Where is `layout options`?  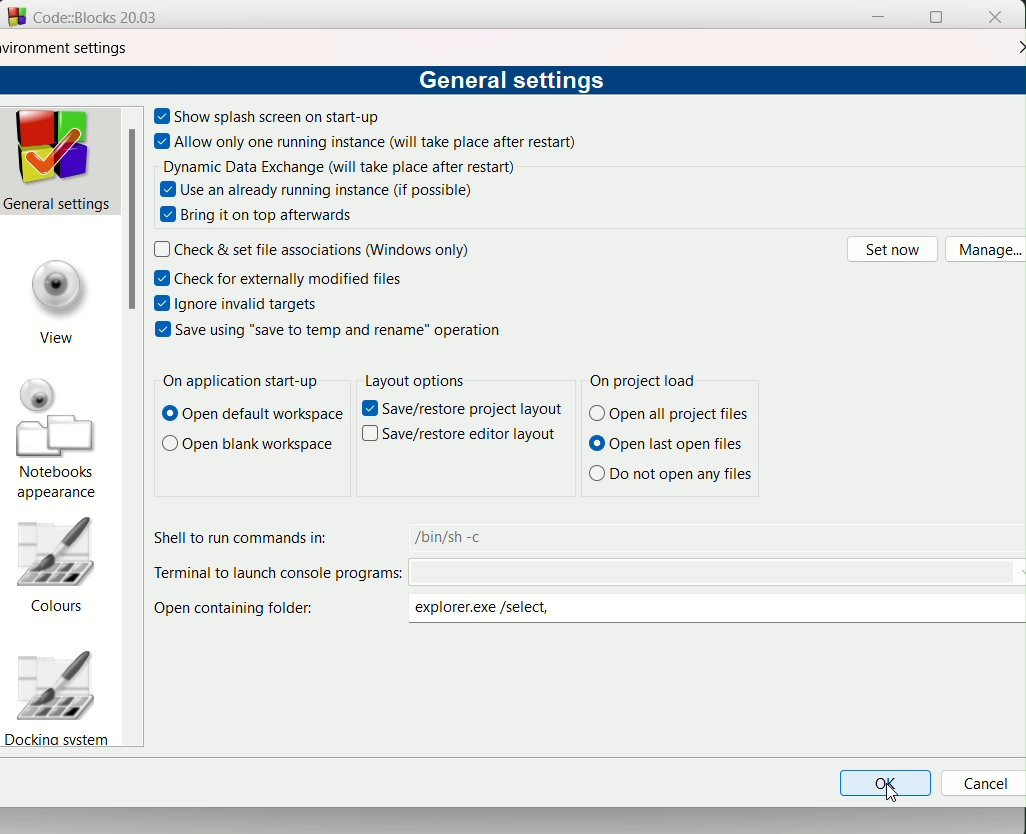 layout options is located at coordinates (413, 382).